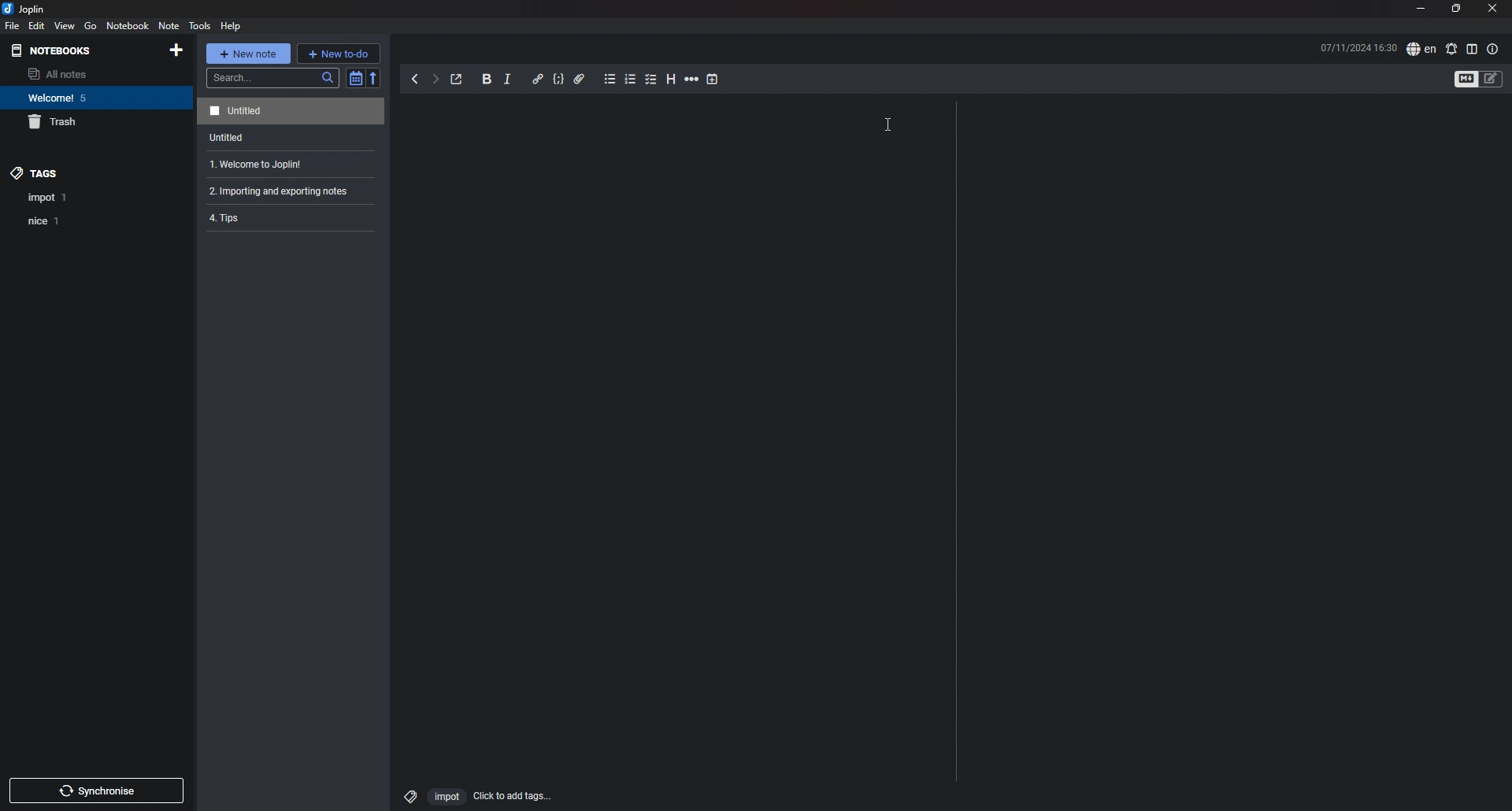  Describe the element at coordinates (457, 80) in the screenshot. I see `toggle external editing` at that location.